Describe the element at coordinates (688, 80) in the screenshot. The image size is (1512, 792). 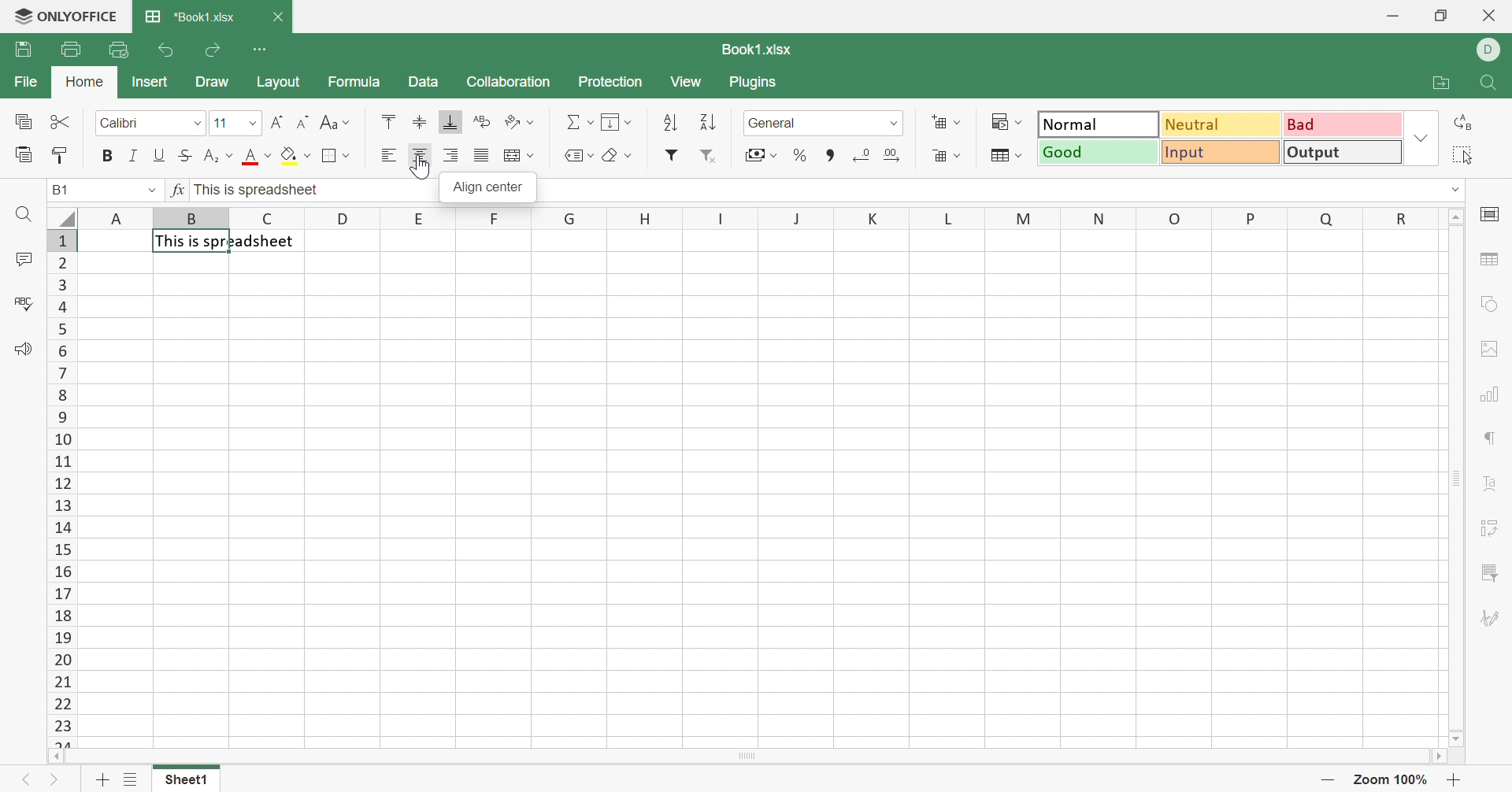
I see `View` at that location.